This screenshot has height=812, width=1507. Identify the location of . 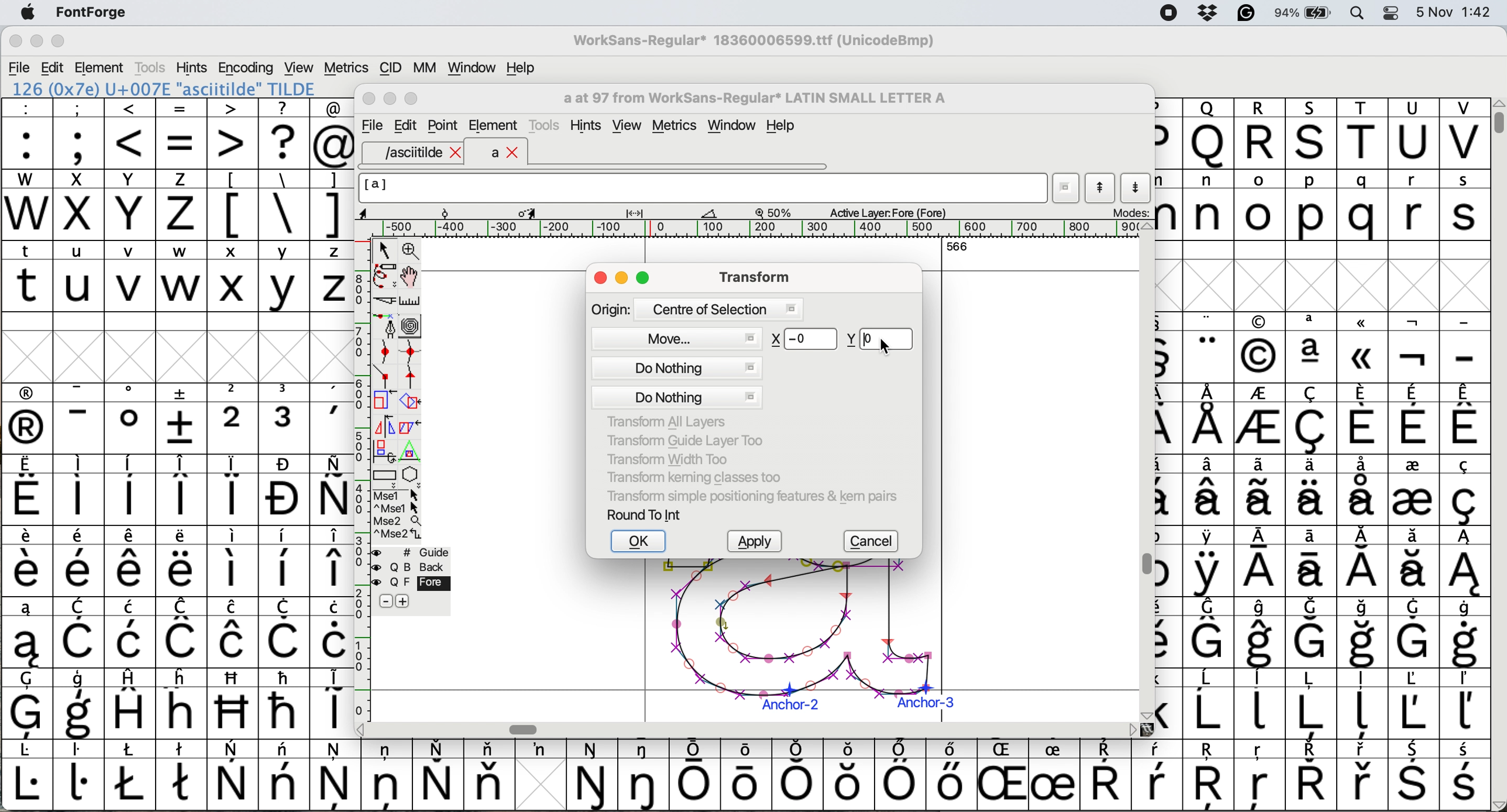
(850, 775).